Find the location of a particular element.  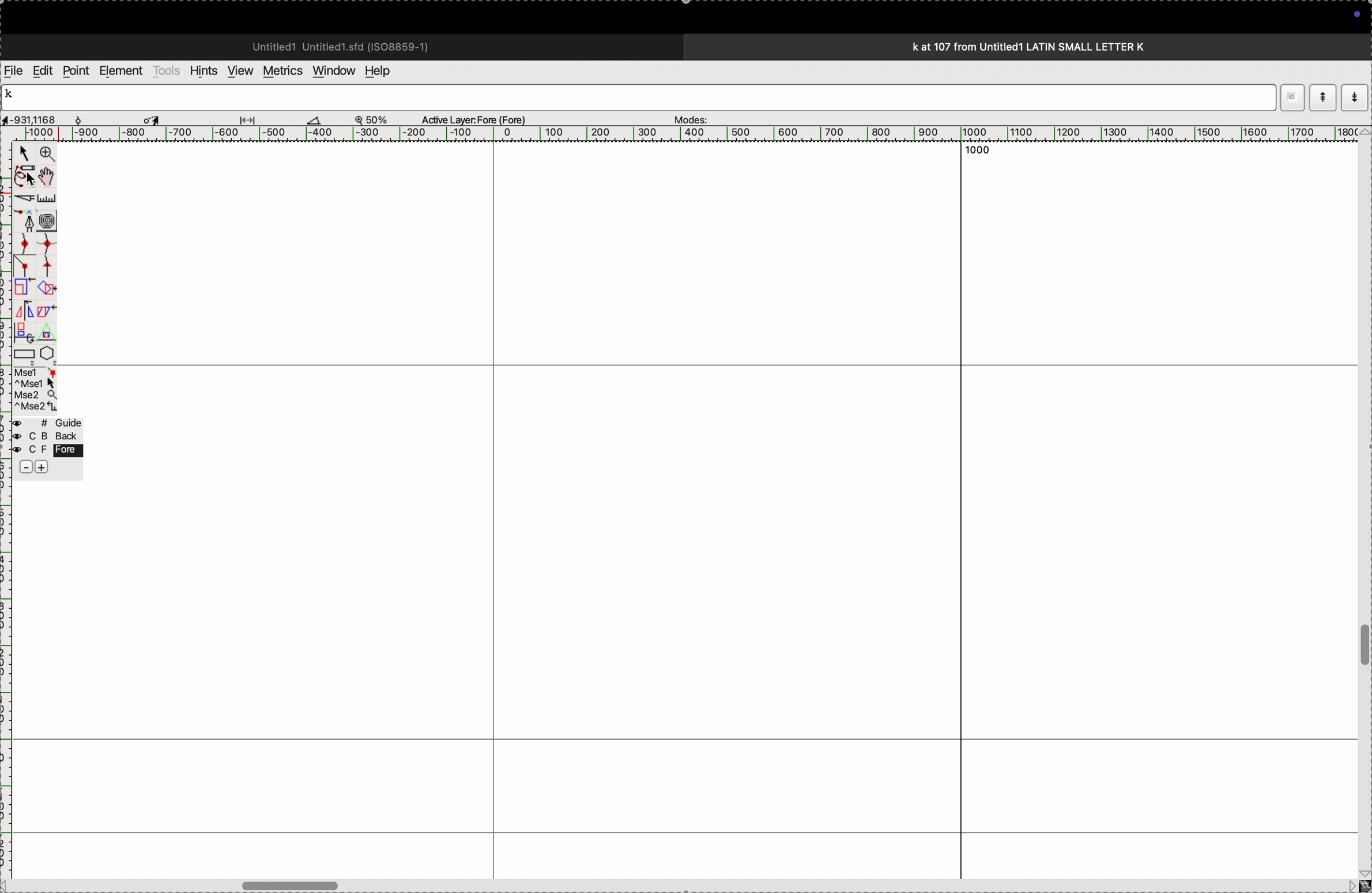

metrics is located at coordinates (281, 71).